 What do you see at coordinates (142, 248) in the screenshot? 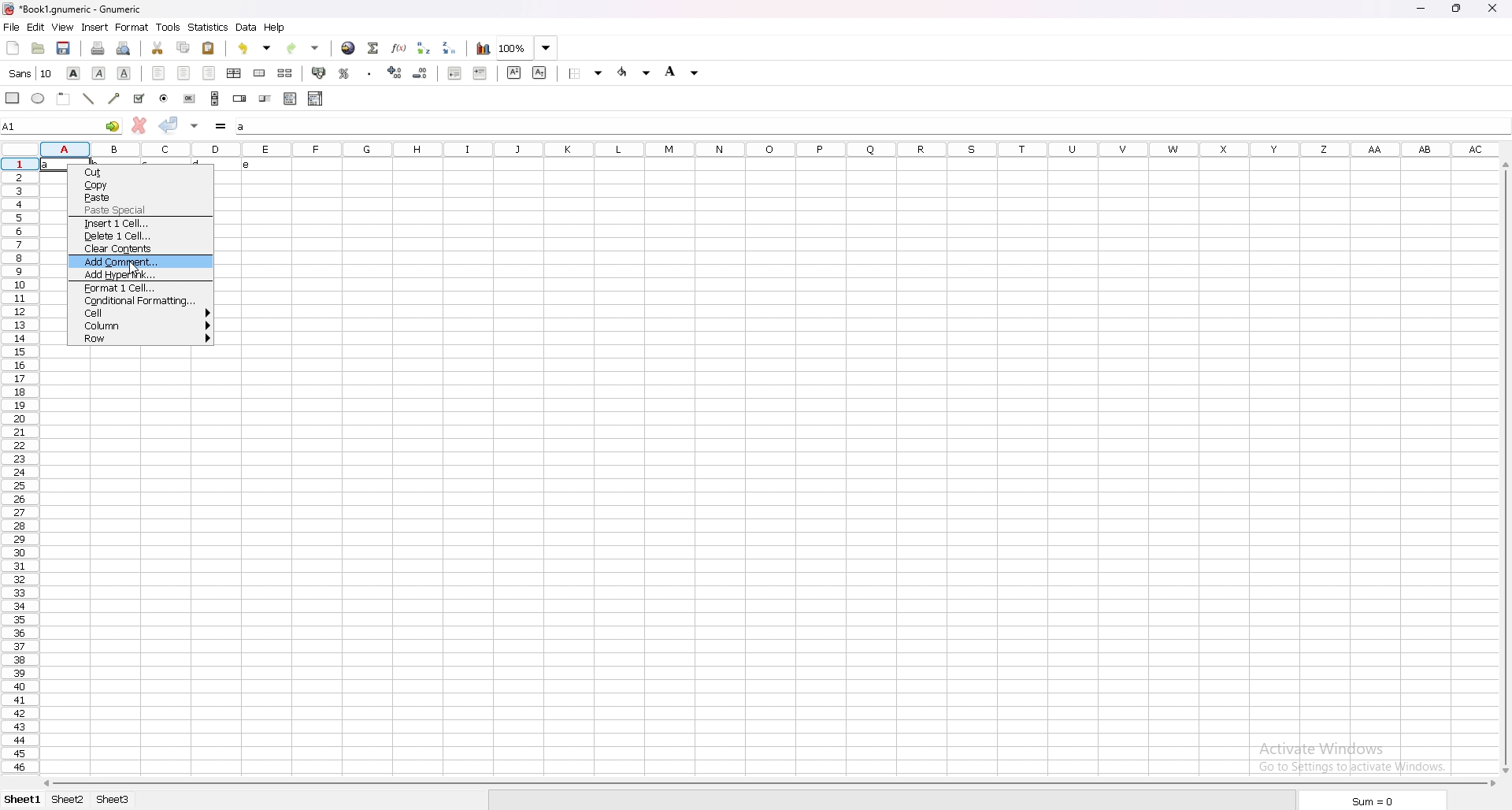
I see `clear contents` at bounding box center [142, 248].